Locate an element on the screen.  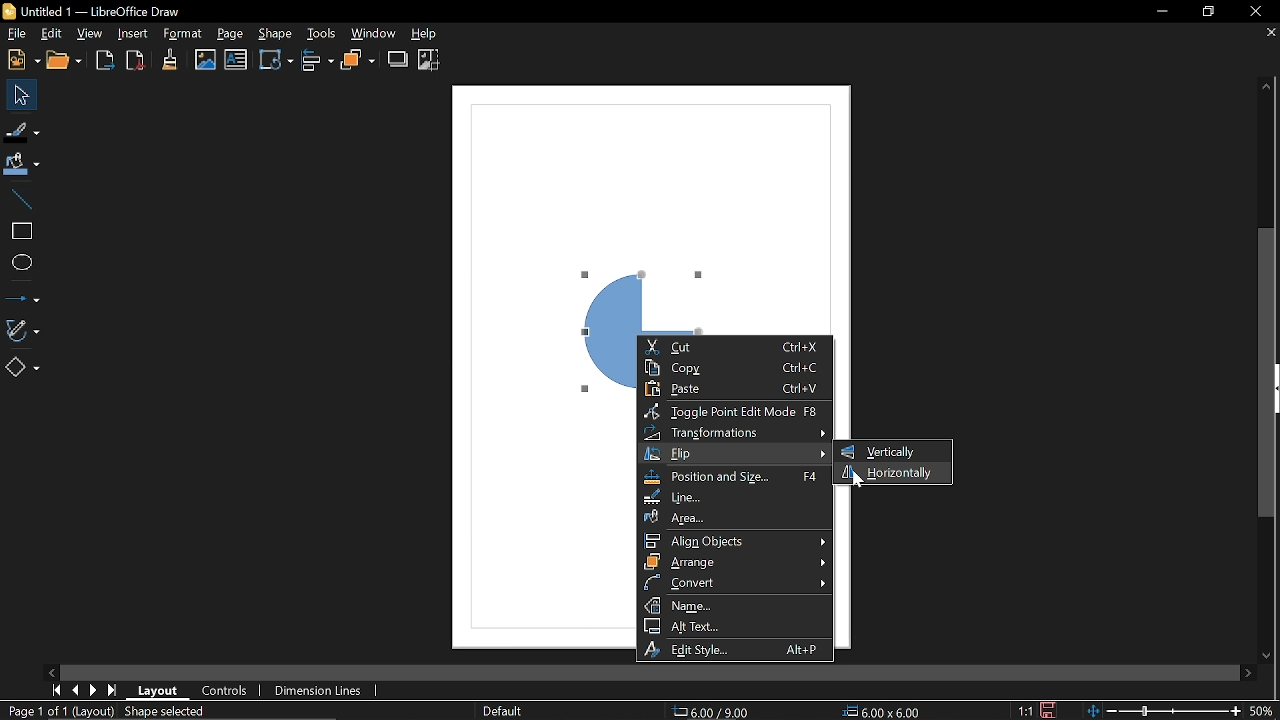
Name is located at coordinates (737, 605).